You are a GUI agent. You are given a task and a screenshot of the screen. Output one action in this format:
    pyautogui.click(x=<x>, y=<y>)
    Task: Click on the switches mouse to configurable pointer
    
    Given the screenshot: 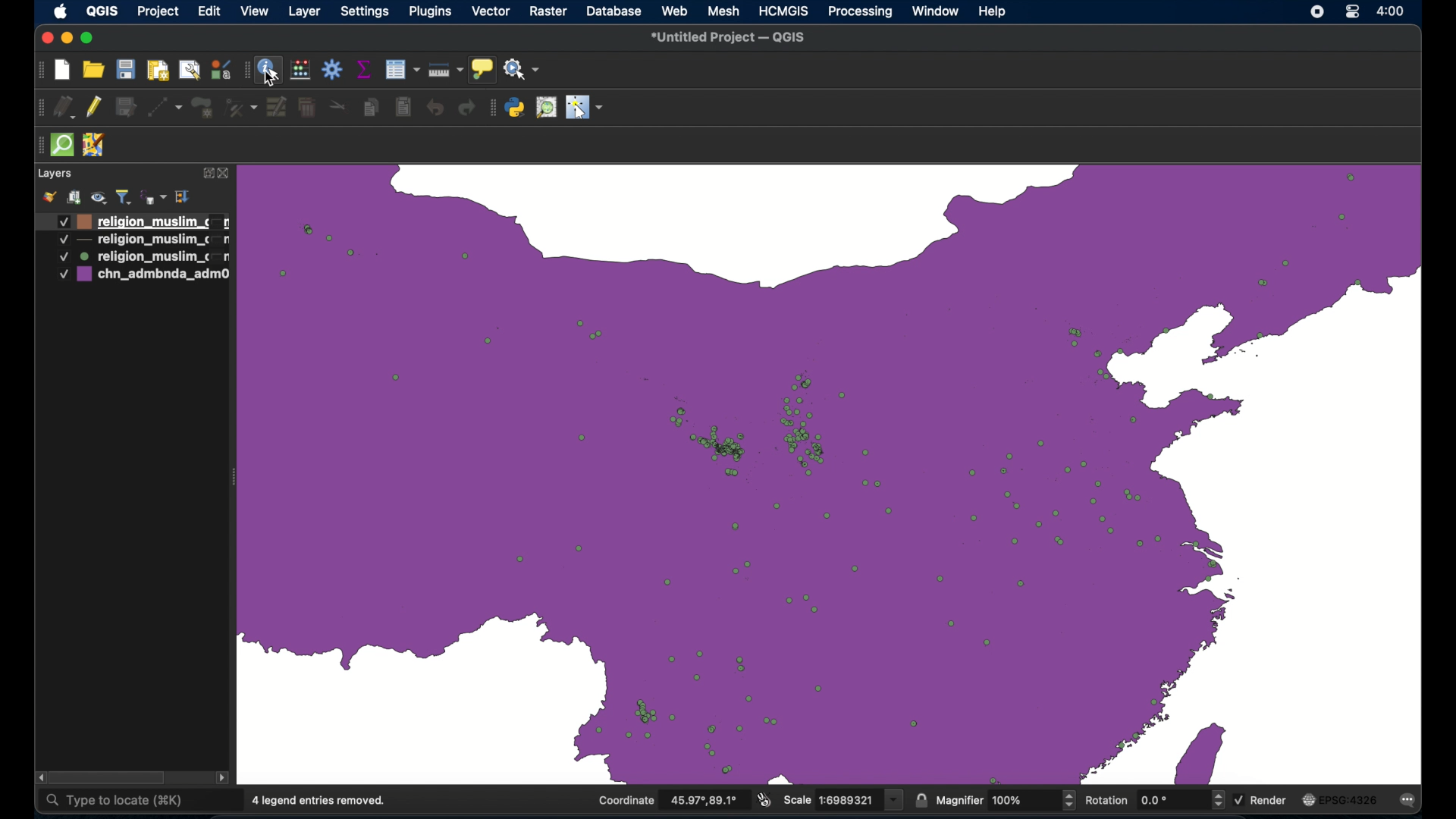 What is the action you would take?
    pyautogui.click(x=585, y=108)
    